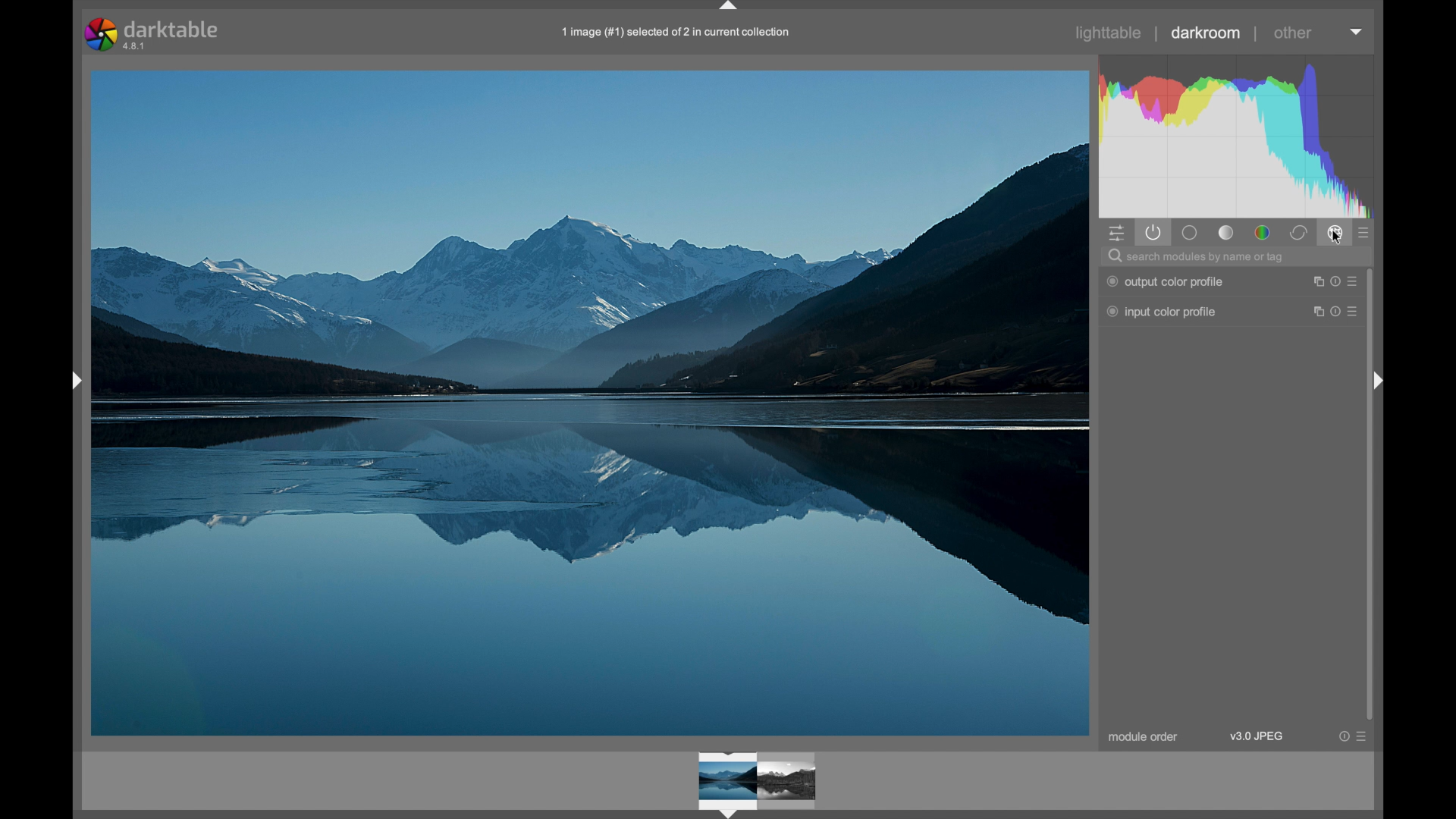  What do you see at coordinates (1191, 234) in the screenshot?
I see `base` at bounding box center [1191, 234].